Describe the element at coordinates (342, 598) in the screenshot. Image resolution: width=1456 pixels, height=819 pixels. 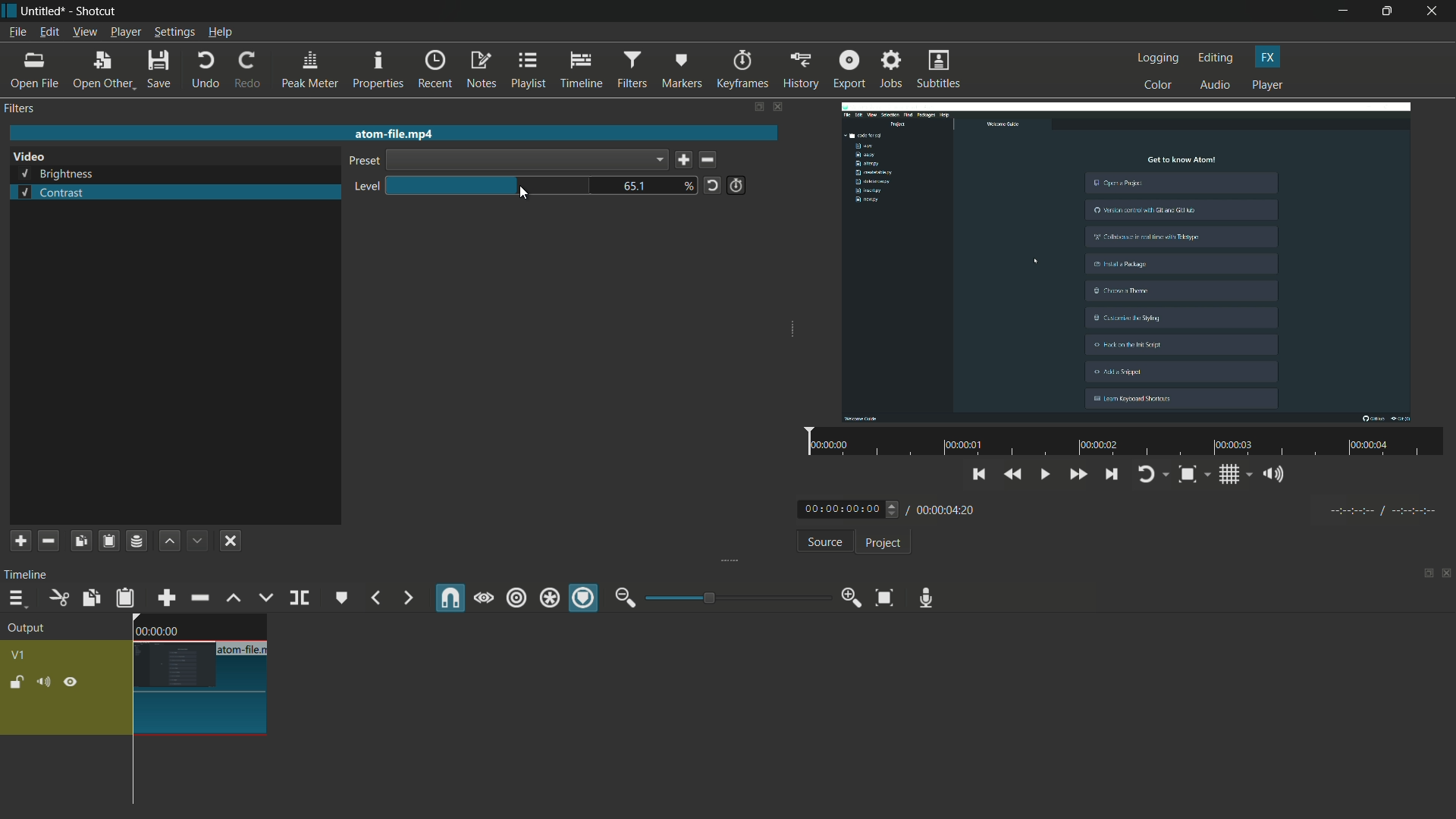
I see `create/edit marker` at that location.